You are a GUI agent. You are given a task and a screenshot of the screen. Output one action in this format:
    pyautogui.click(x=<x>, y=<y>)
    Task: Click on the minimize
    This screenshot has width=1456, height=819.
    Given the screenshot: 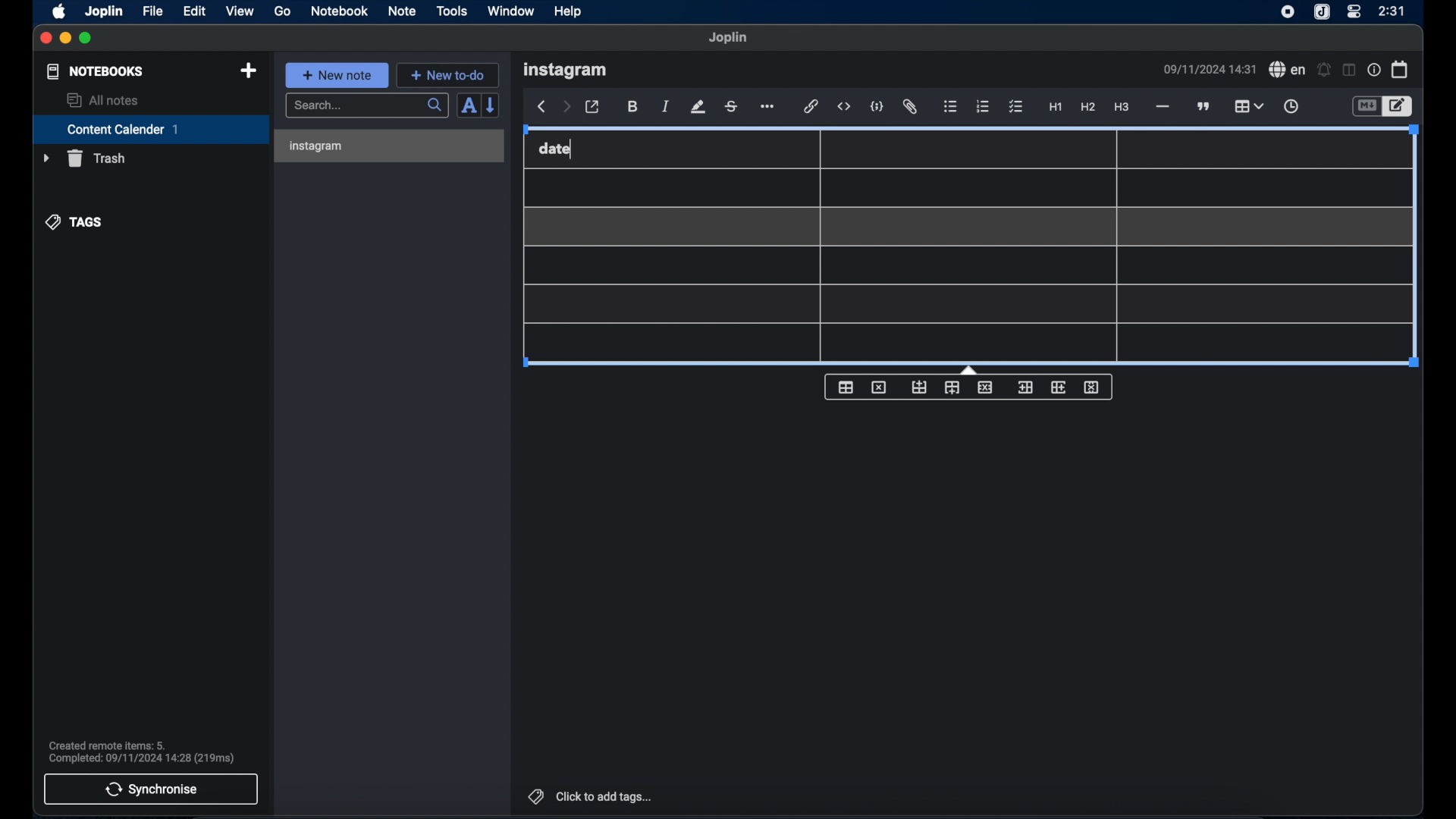 What is the action you would take?
    pyautogui.click(x=64, y=39)
    